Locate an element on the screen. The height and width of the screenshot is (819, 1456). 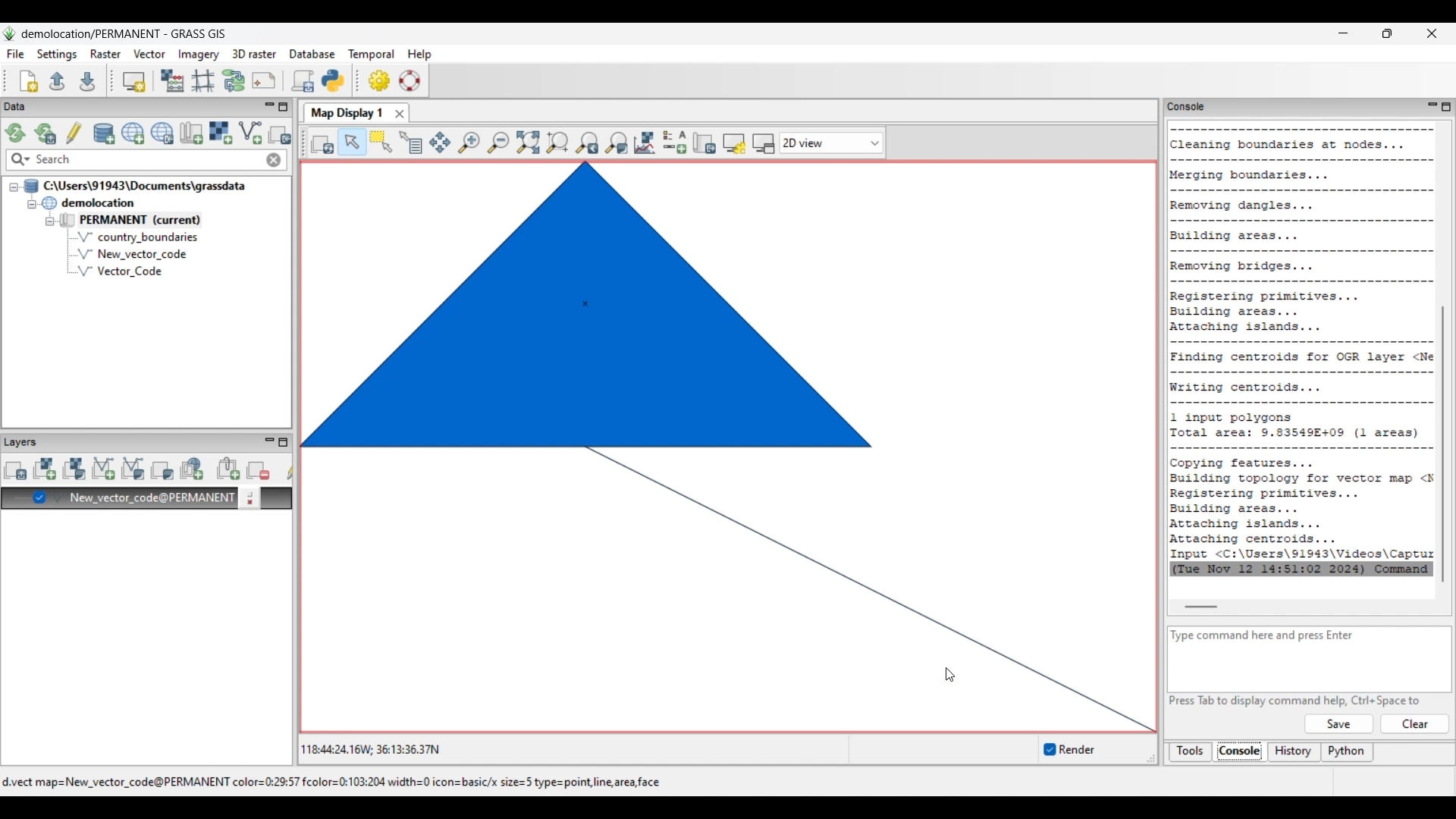
Tools, current selection is located at coordinates (1191, 752).